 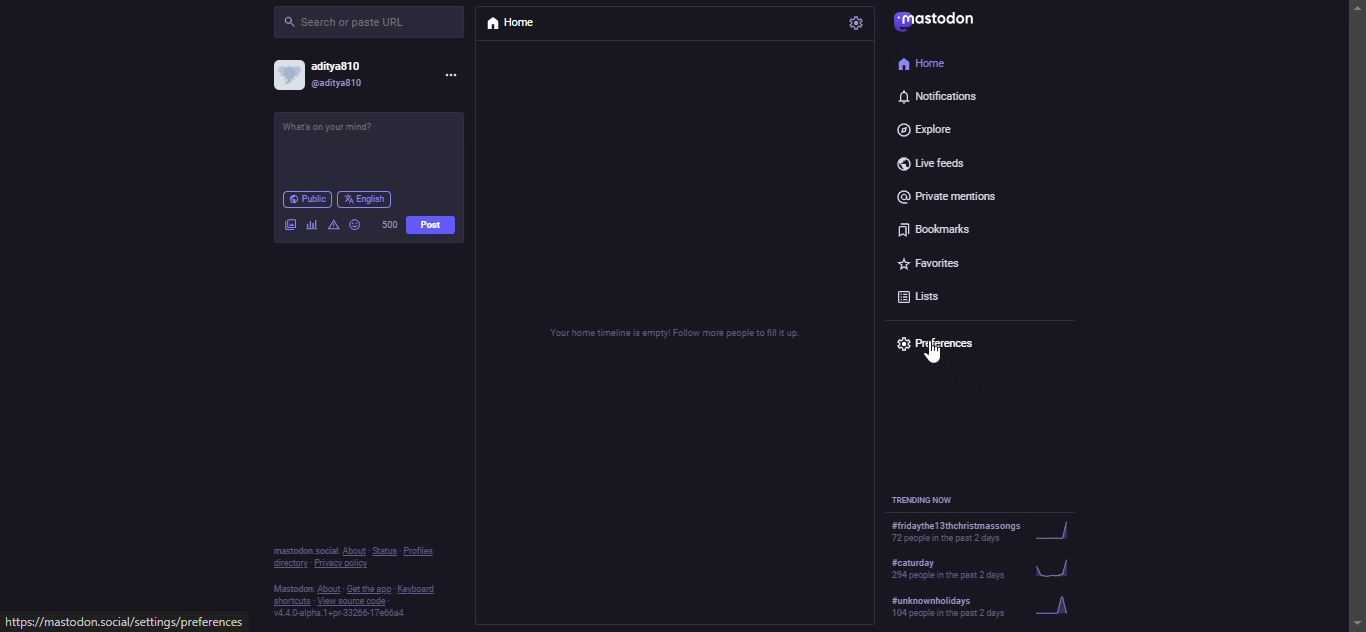 I want to click on explore, so click(x=927, y=130).